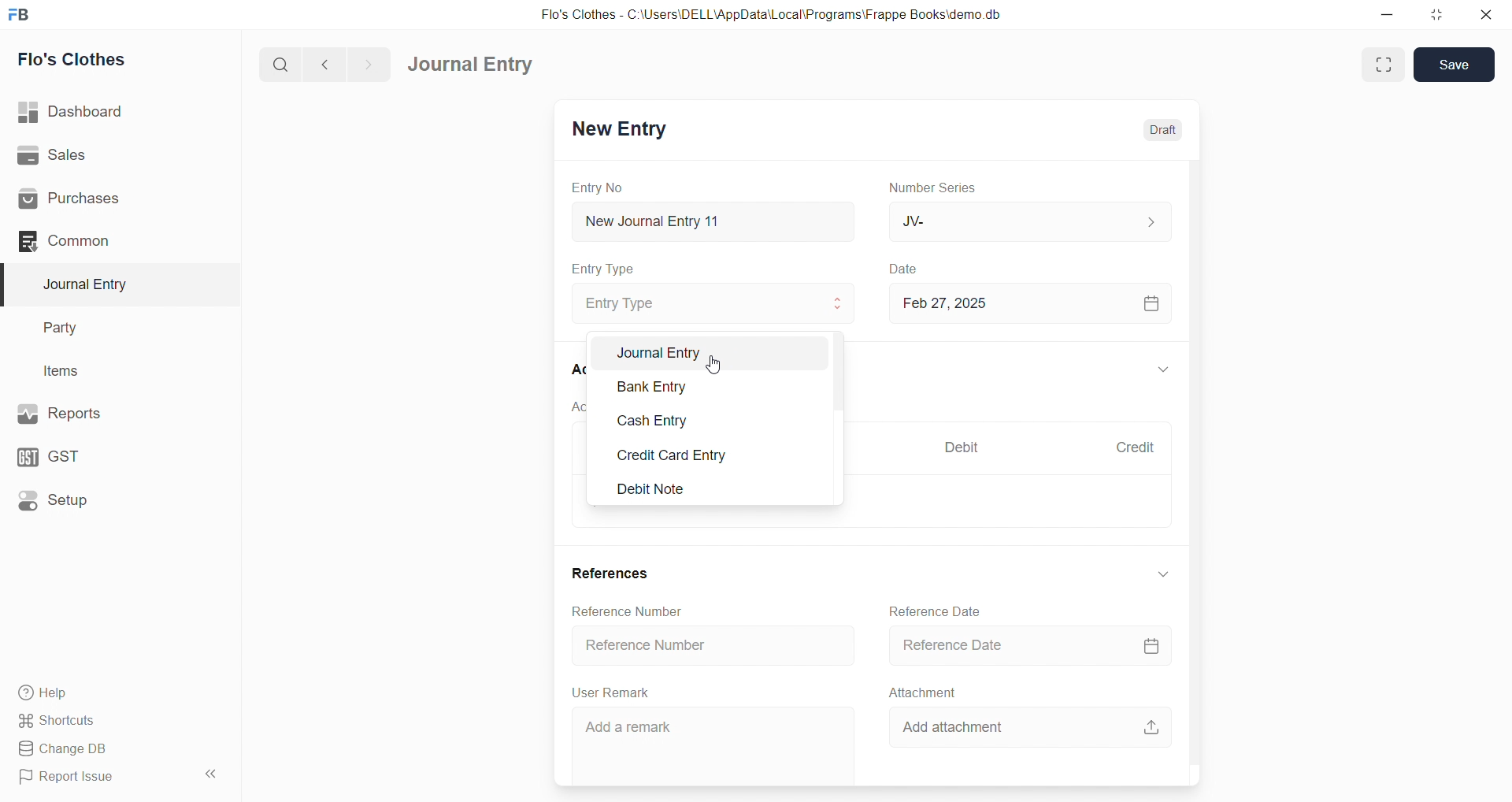  I want to click on Debit Note, so click(658, 490).